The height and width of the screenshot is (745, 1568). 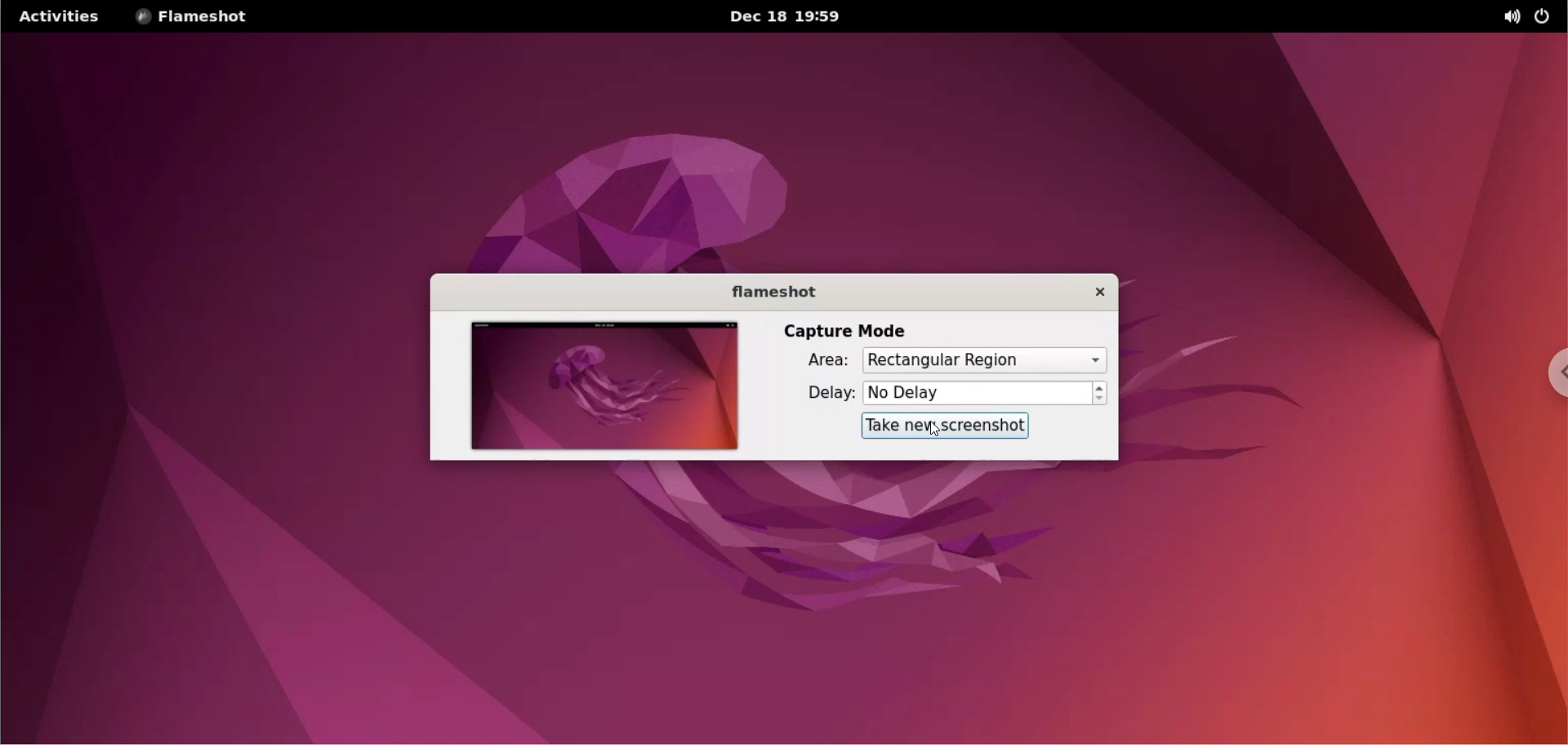 What do you see at coordinates (1549, 15) in the screenshot?
I see `on/off` at bounding box center [1549, 15].